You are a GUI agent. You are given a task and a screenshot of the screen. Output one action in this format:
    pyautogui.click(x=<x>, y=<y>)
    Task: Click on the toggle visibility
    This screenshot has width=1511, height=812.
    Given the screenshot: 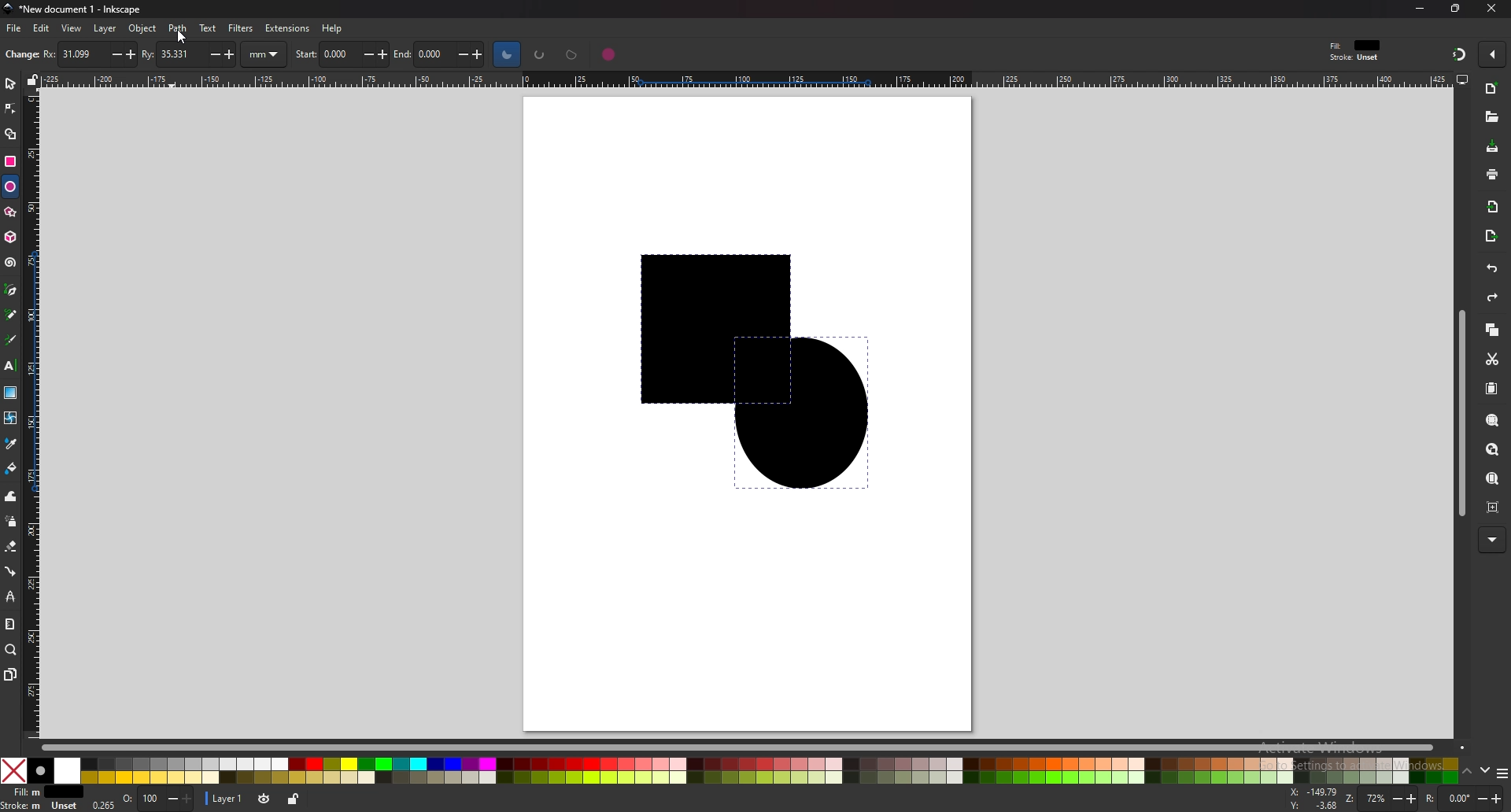 What is the action you would take?
    pyautogui.click(x=262, y=799)
    